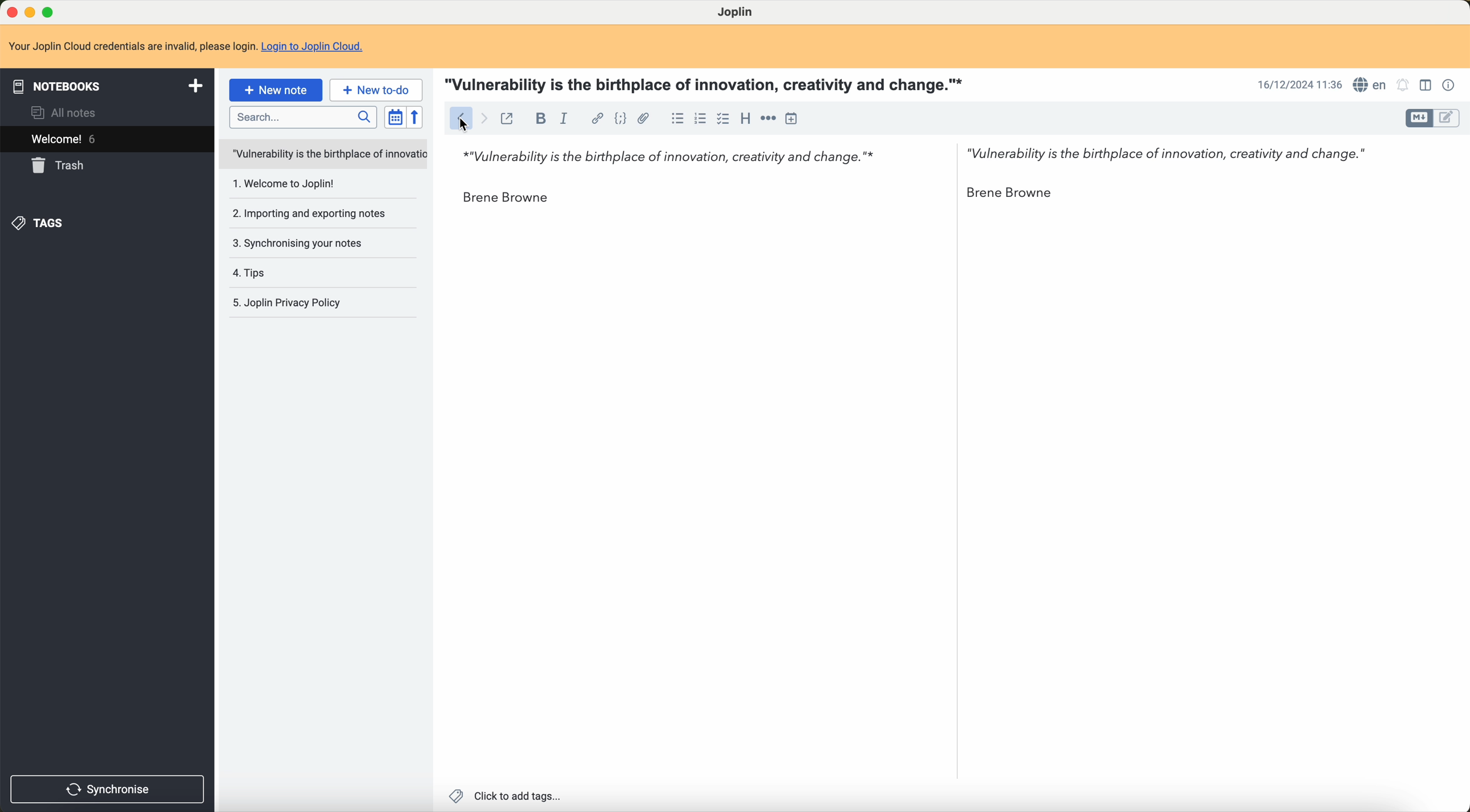  What do you see at coordinates (486, 118) in the screenshot?
I see `foward` at bounding box center [486, 118].